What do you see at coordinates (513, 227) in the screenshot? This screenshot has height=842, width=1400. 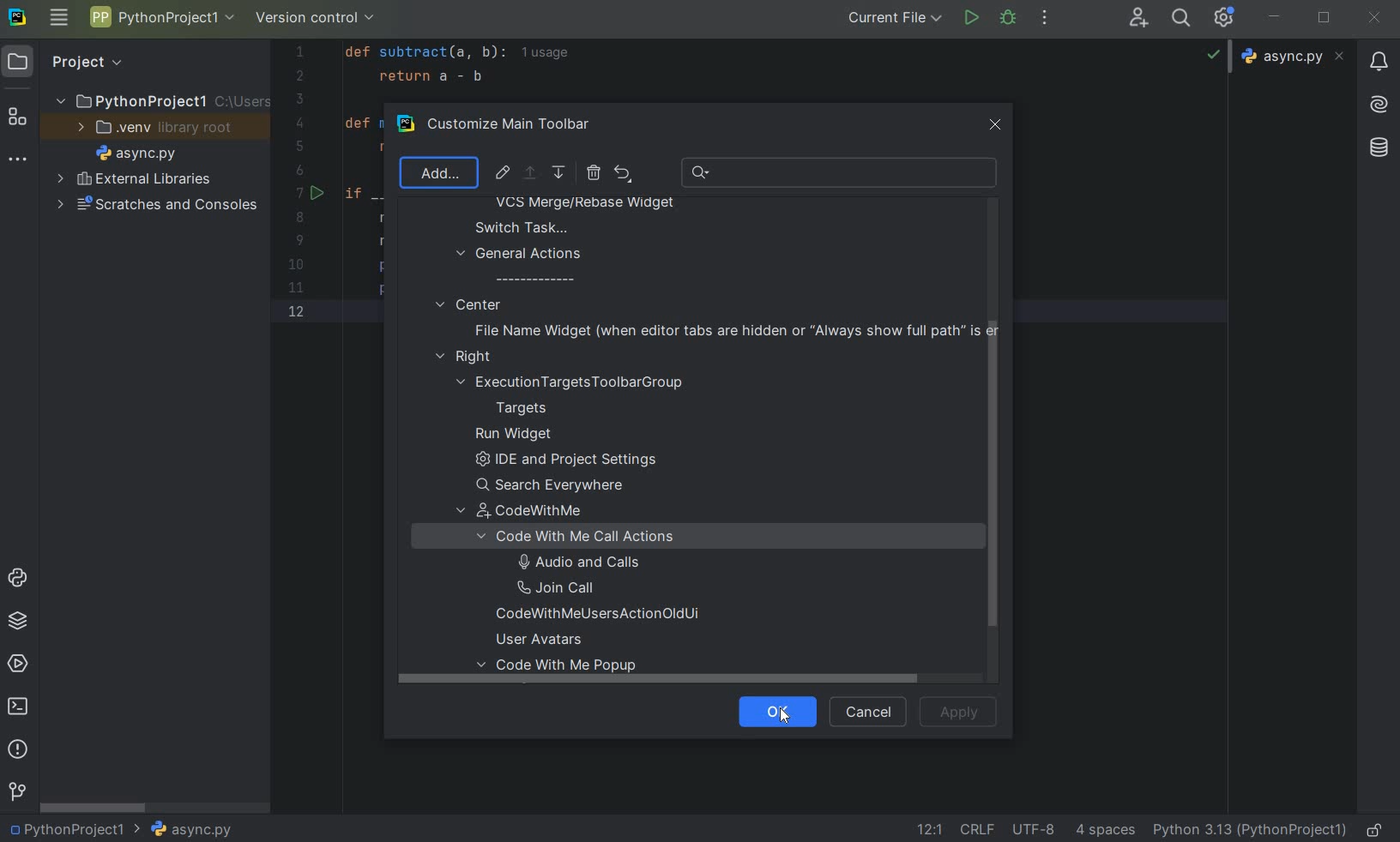 I see `switch task` at bounding box center [513, 227].